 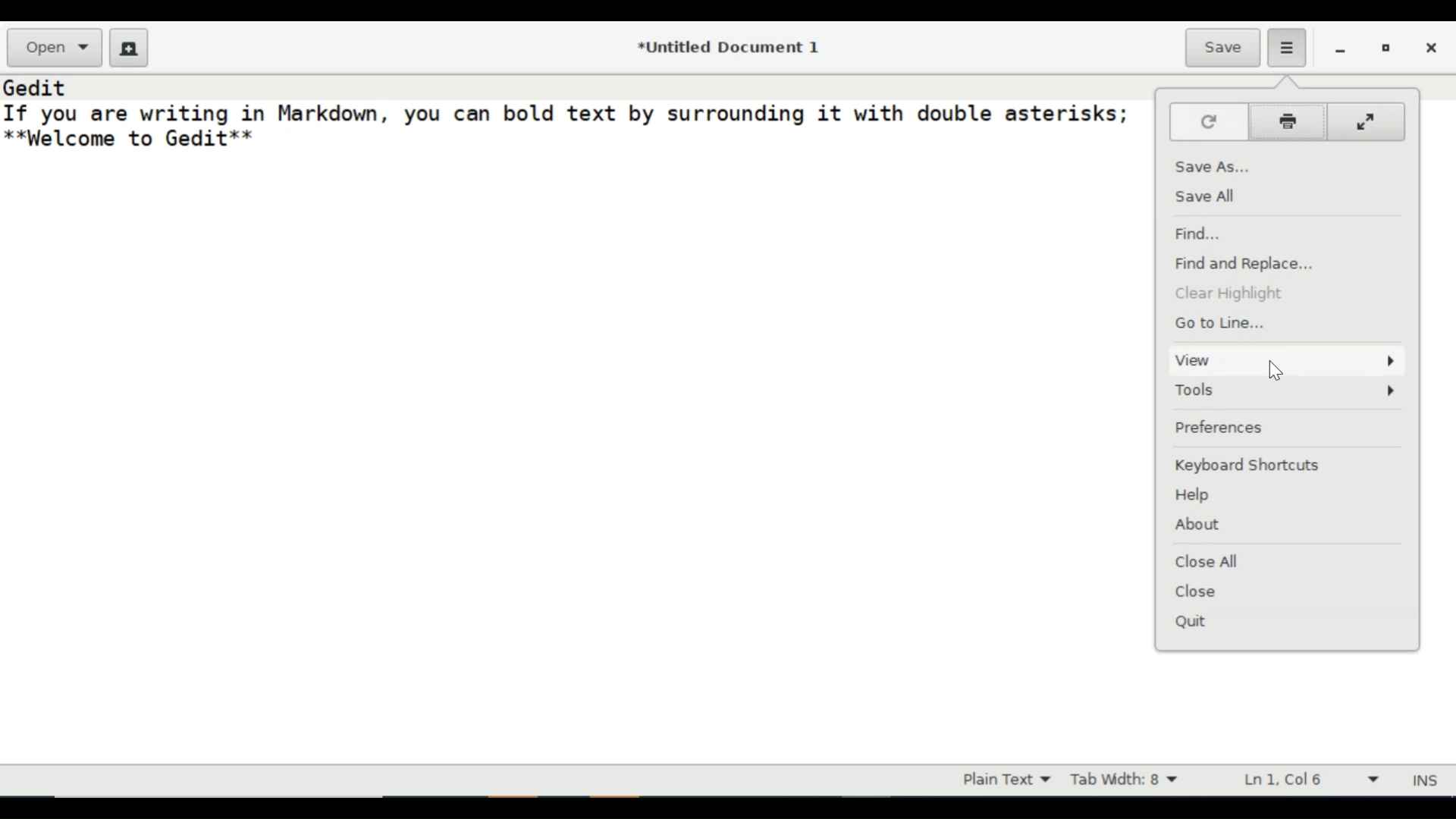 What do you see at coordinates (1316, 779) in the screenshot?
I see `Line & Column Preference` at bounding box center [1316, 779].